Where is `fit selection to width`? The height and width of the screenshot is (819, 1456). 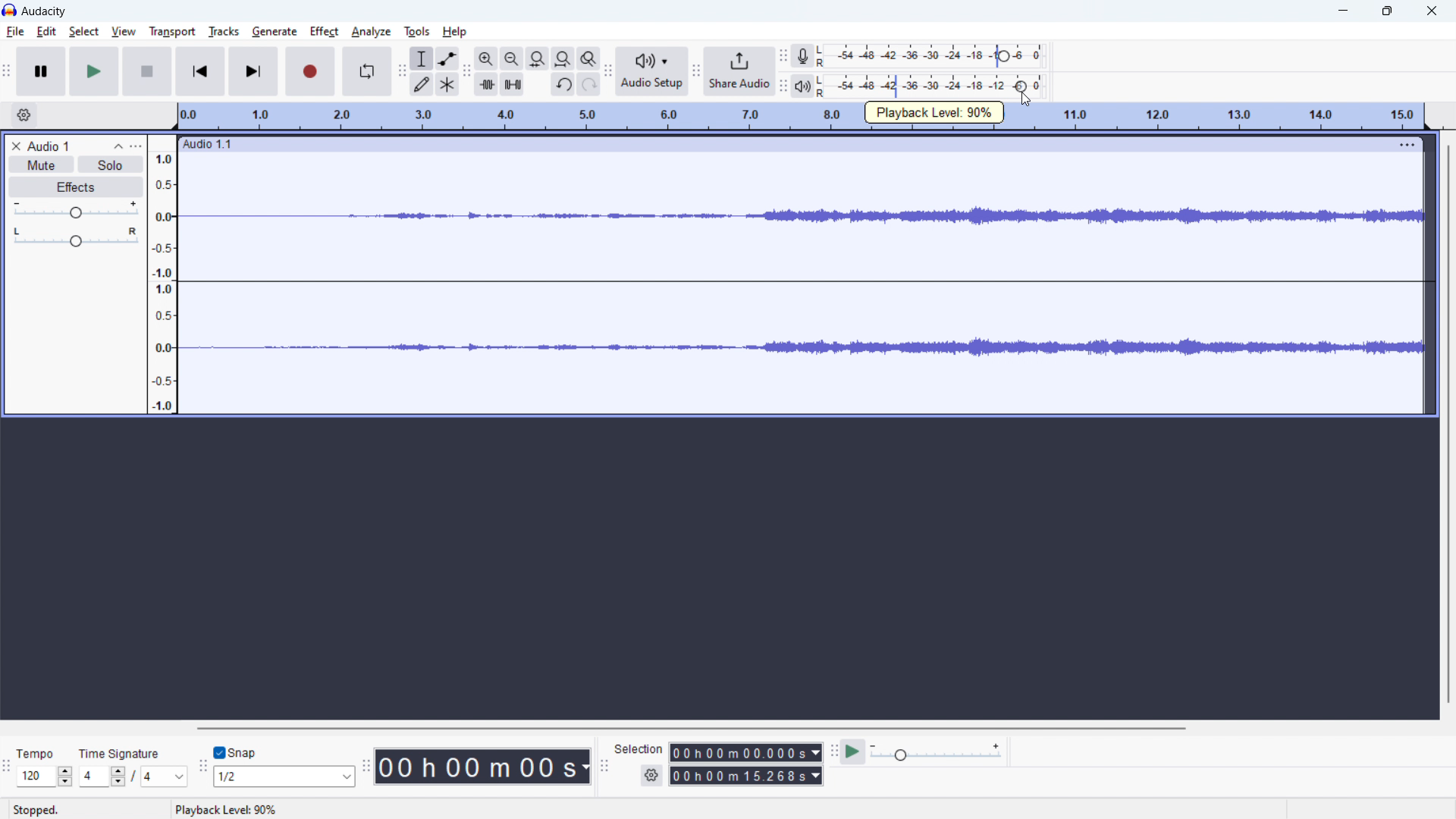 fit selection to width is located at coordinates (537, 58).